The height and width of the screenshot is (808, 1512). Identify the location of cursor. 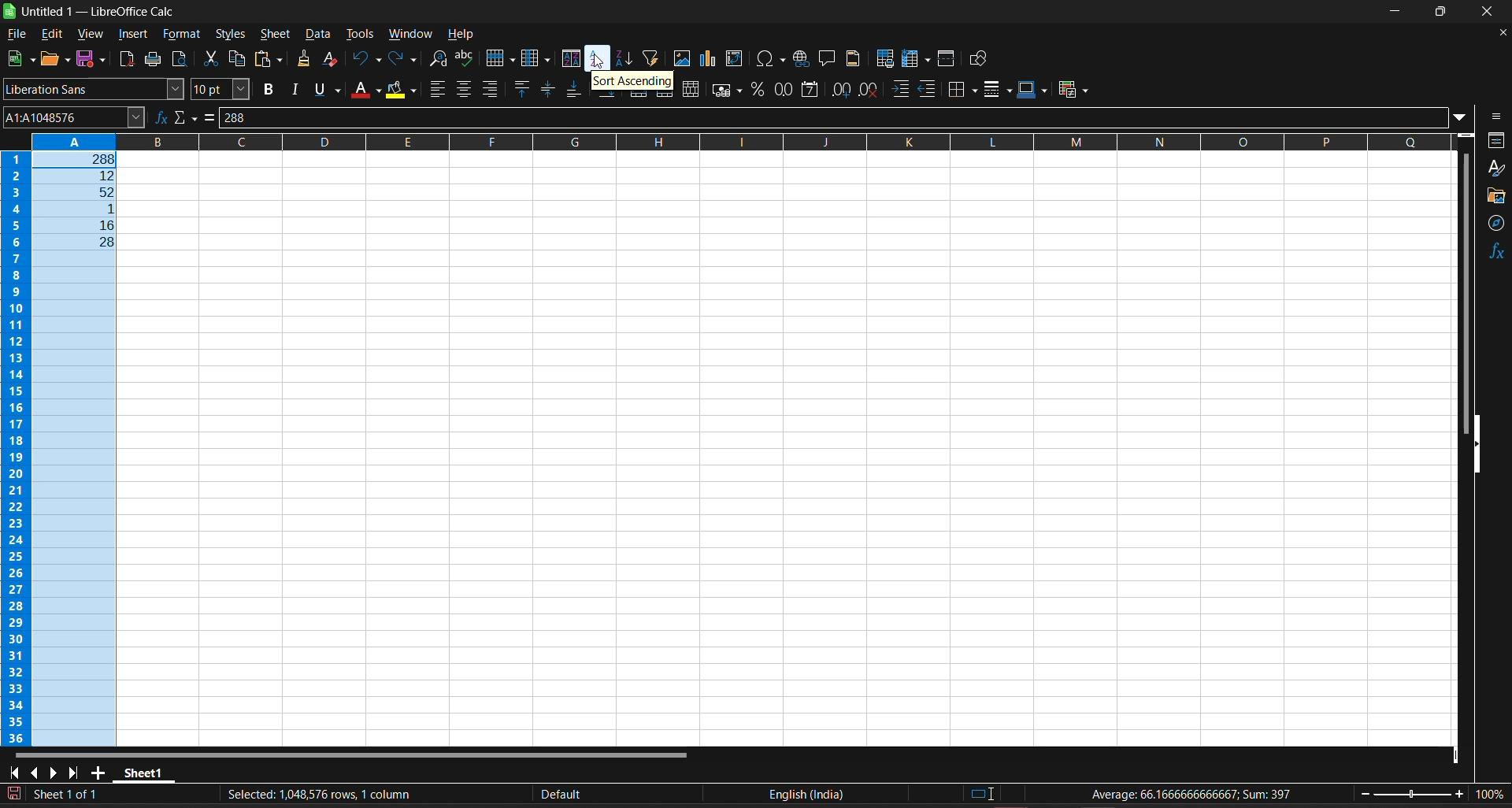
(600, 64).